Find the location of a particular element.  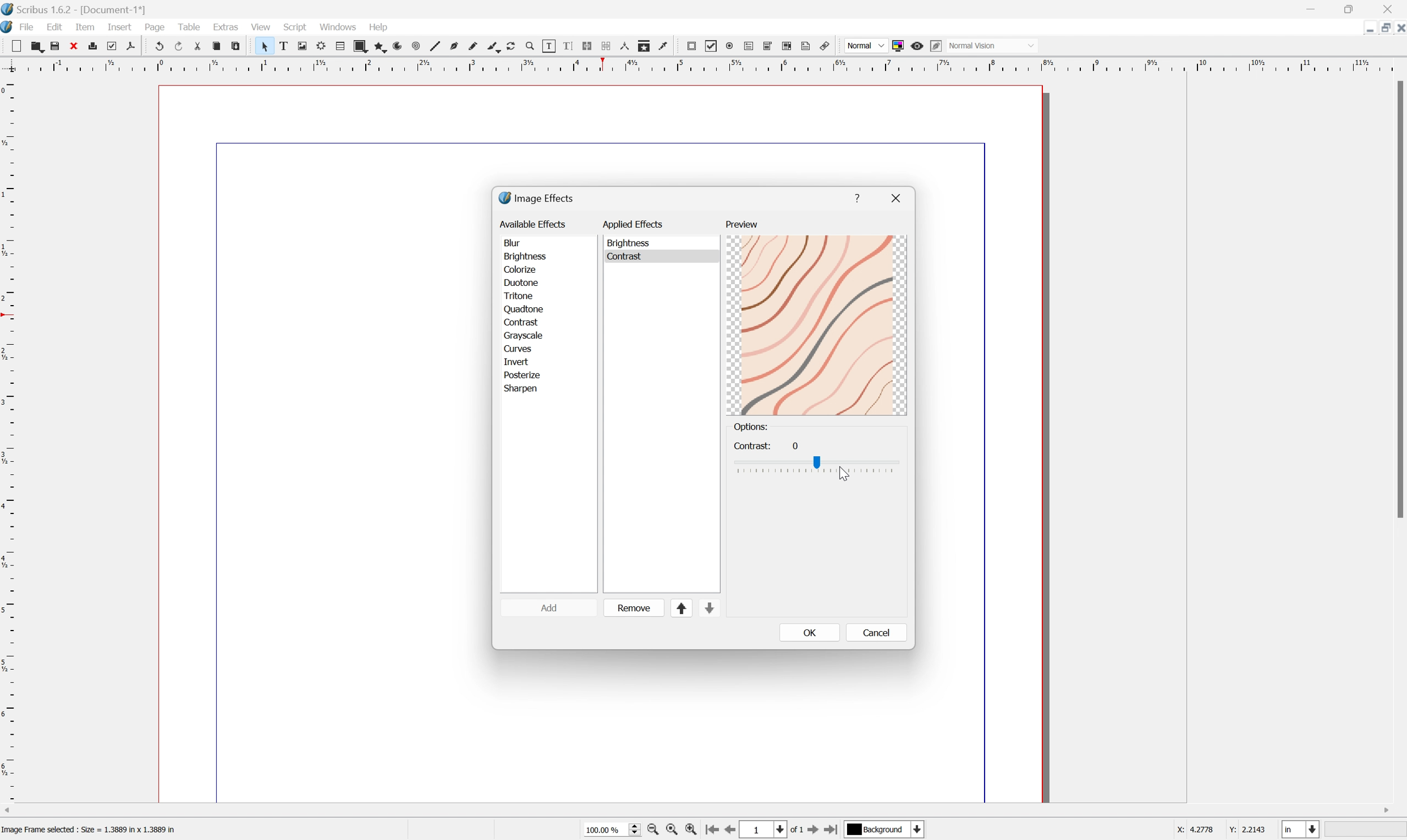

duotone is located at coordinates (521, 282).